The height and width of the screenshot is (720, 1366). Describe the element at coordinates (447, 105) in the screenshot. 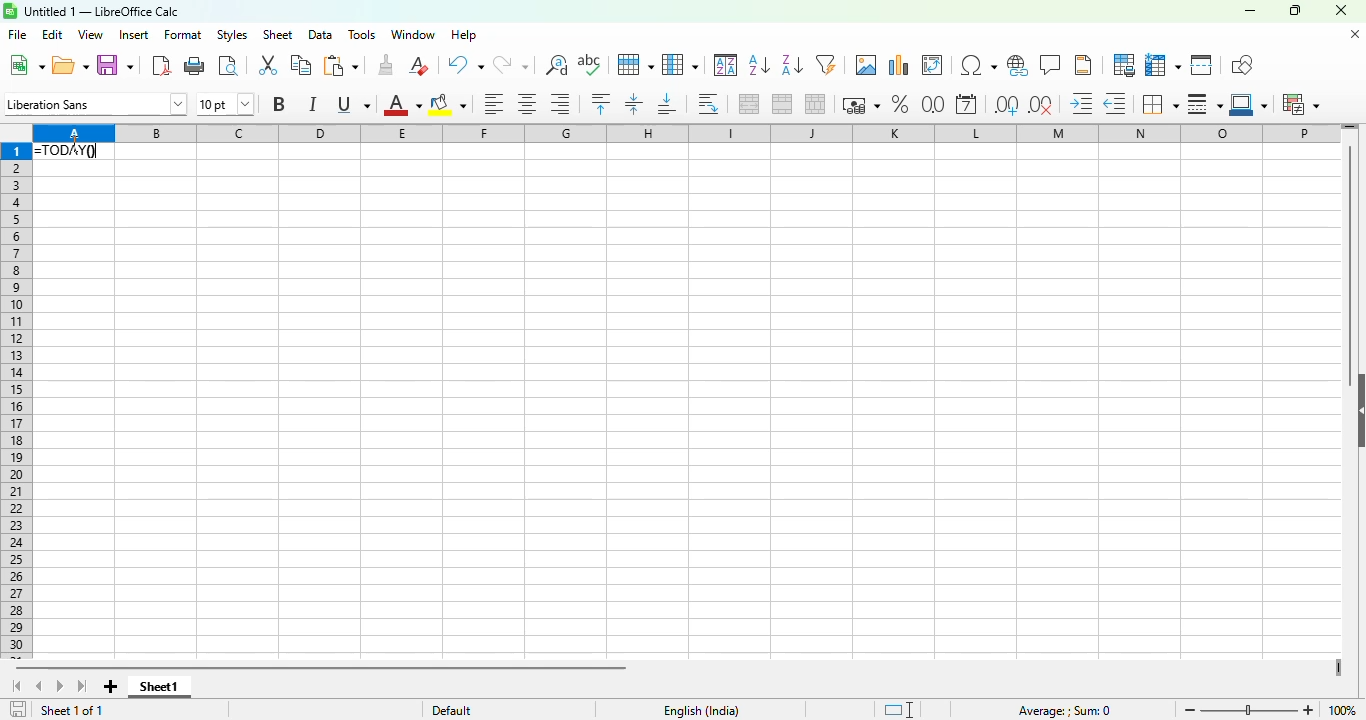

I see `background color` at that location.